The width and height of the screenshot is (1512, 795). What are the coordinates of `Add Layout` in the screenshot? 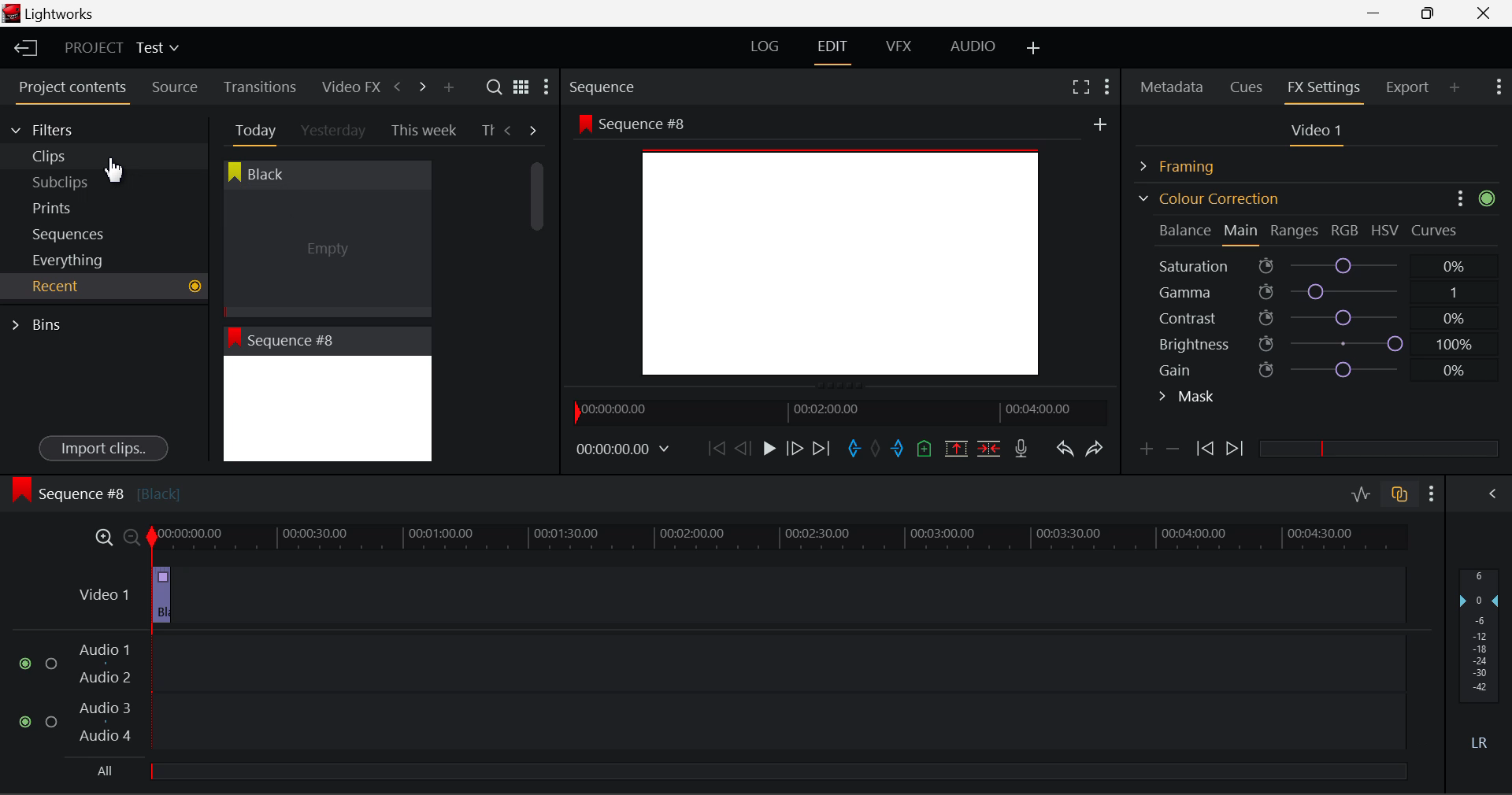 It's located at (1034, 49).